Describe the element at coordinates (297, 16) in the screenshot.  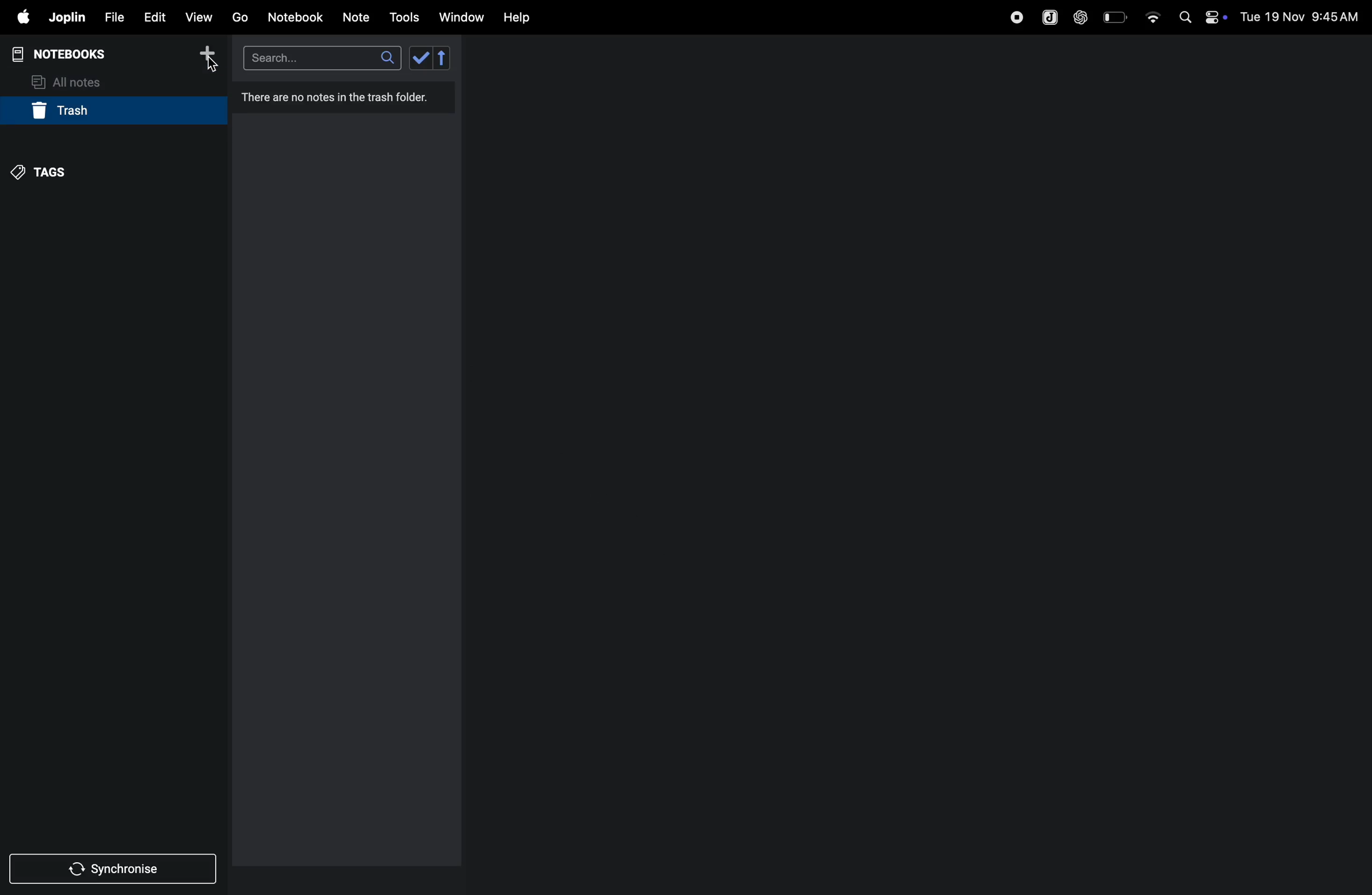
I see `notebook` at that location.